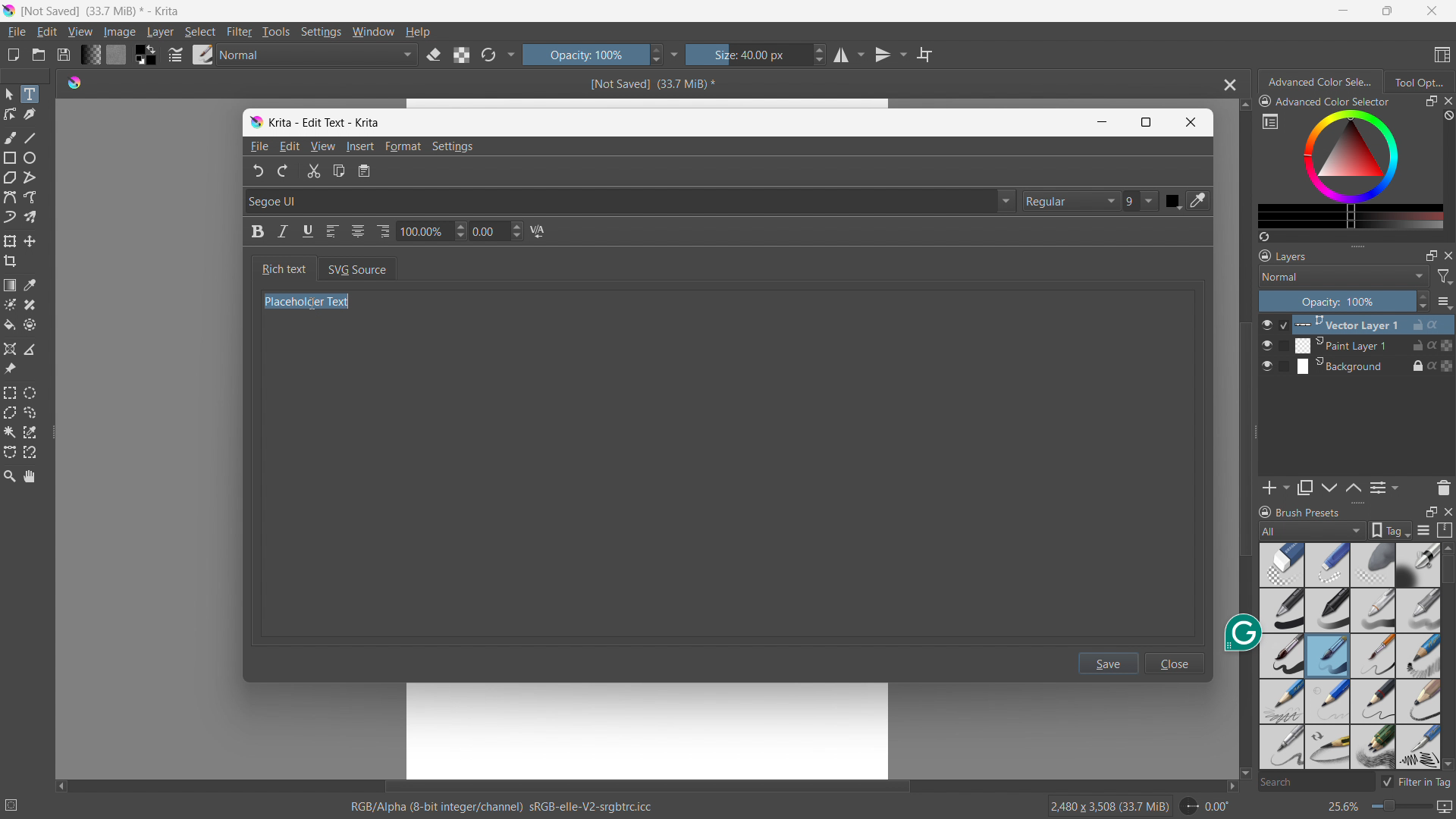 Image resolution: width=1456 pixels, height=819 pixels. Describe the element at coordinates (1283, 255) in the screenshot. I see `layers` at that location.